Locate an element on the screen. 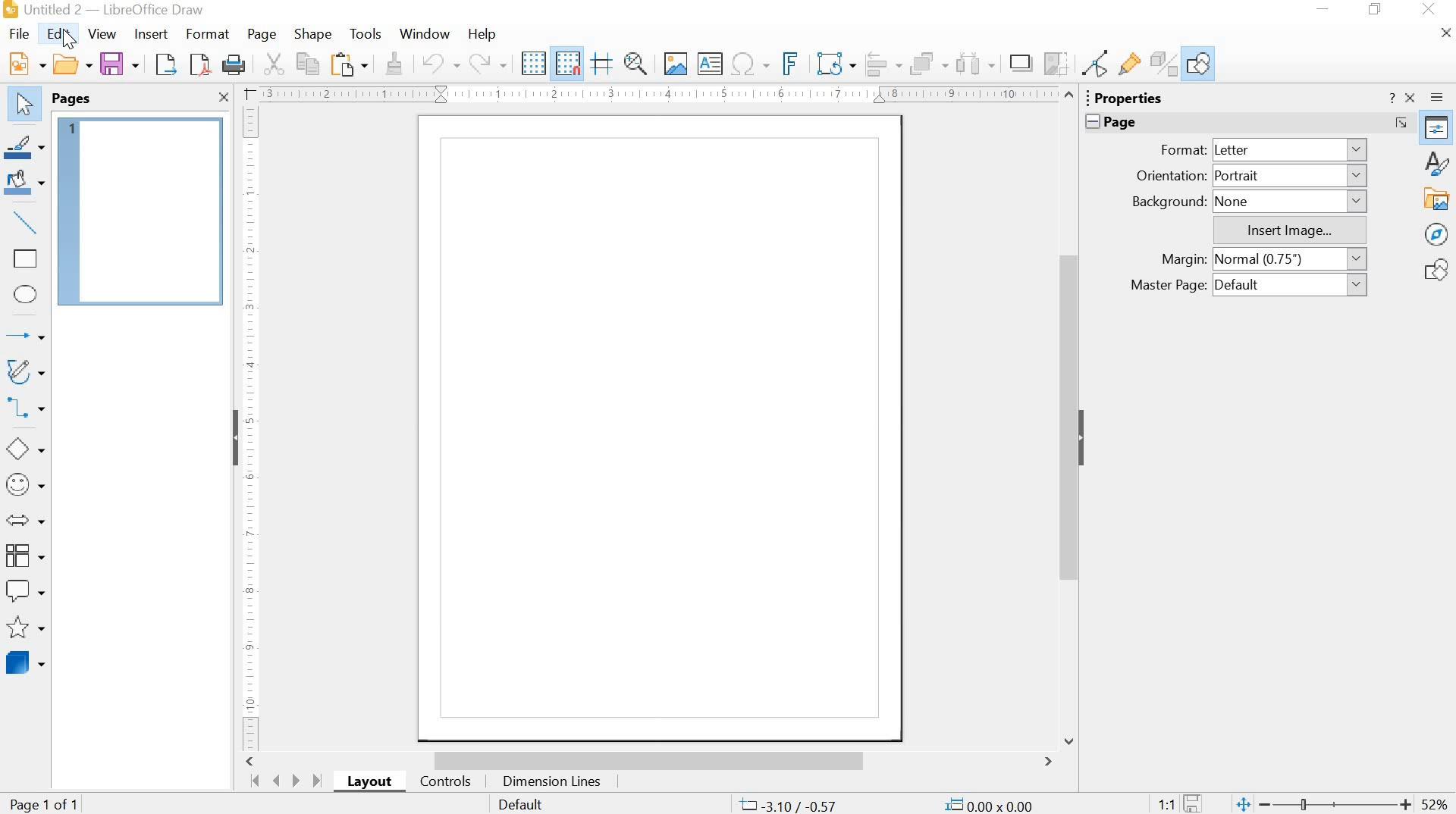 The image size is (1456, 814). zoom out or zoom in is located at coordinates (1323, 804).